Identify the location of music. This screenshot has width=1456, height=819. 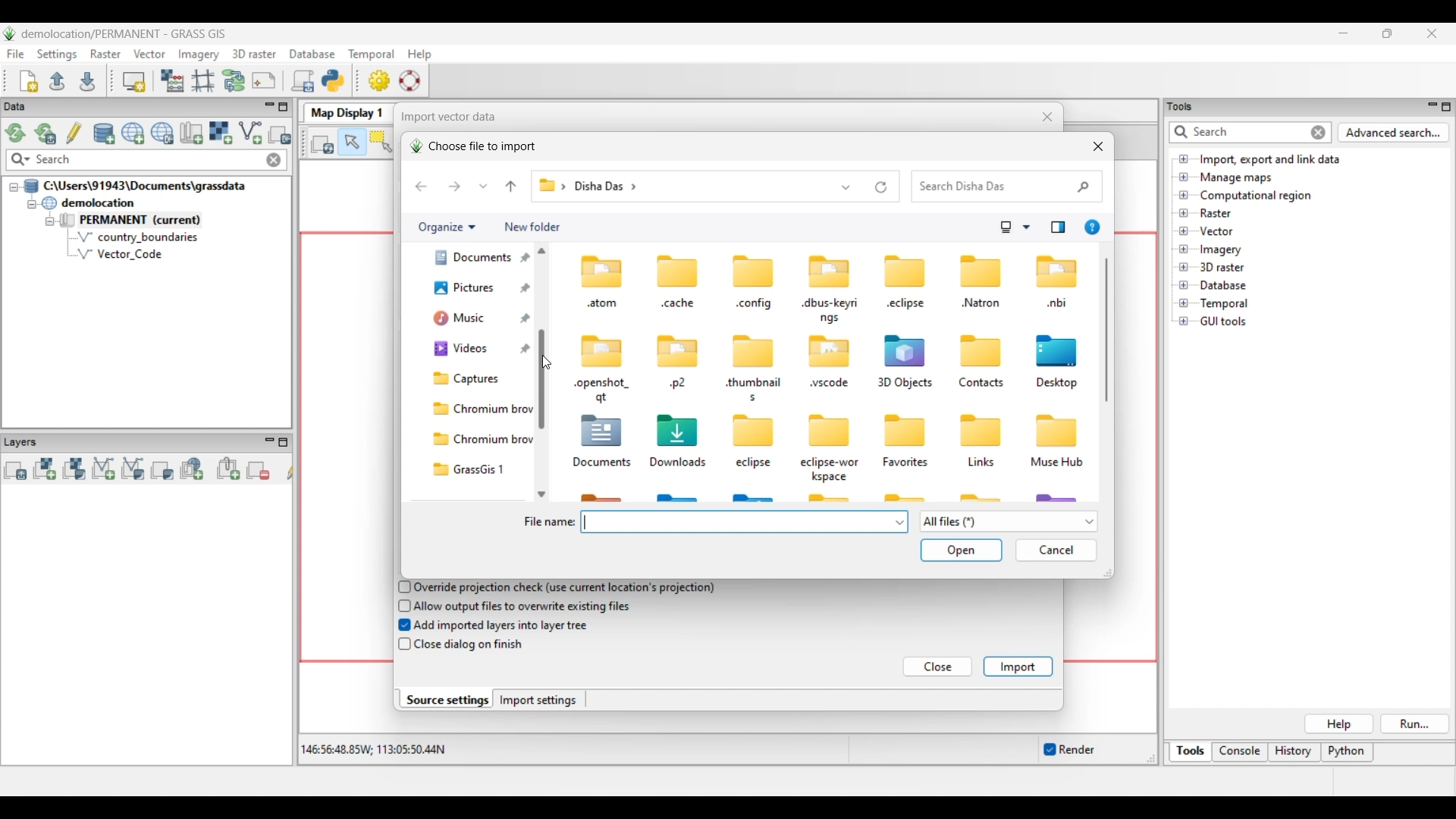
(469, 322).